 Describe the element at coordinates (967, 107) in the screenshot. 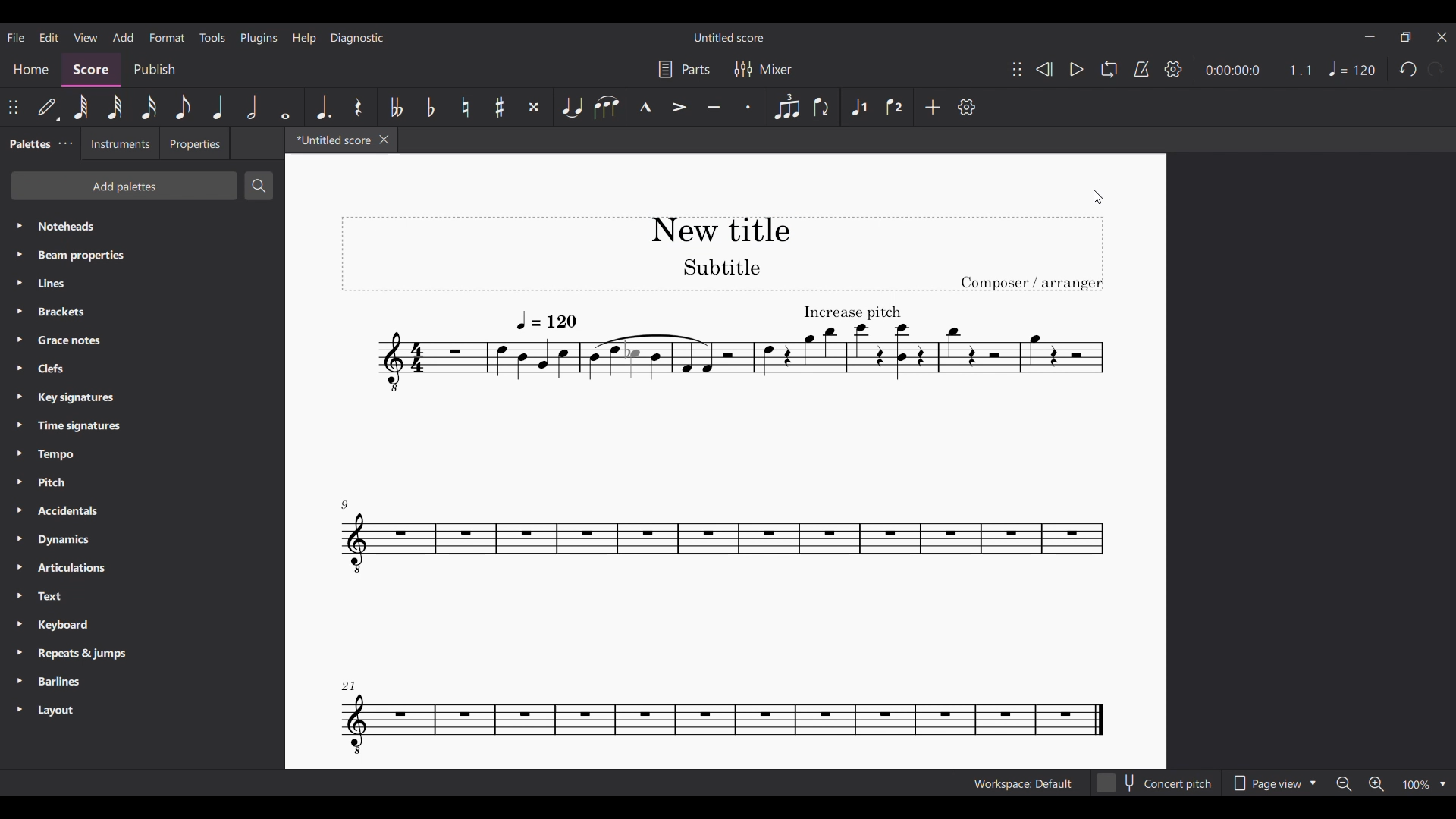

I see `Settings` at that location.